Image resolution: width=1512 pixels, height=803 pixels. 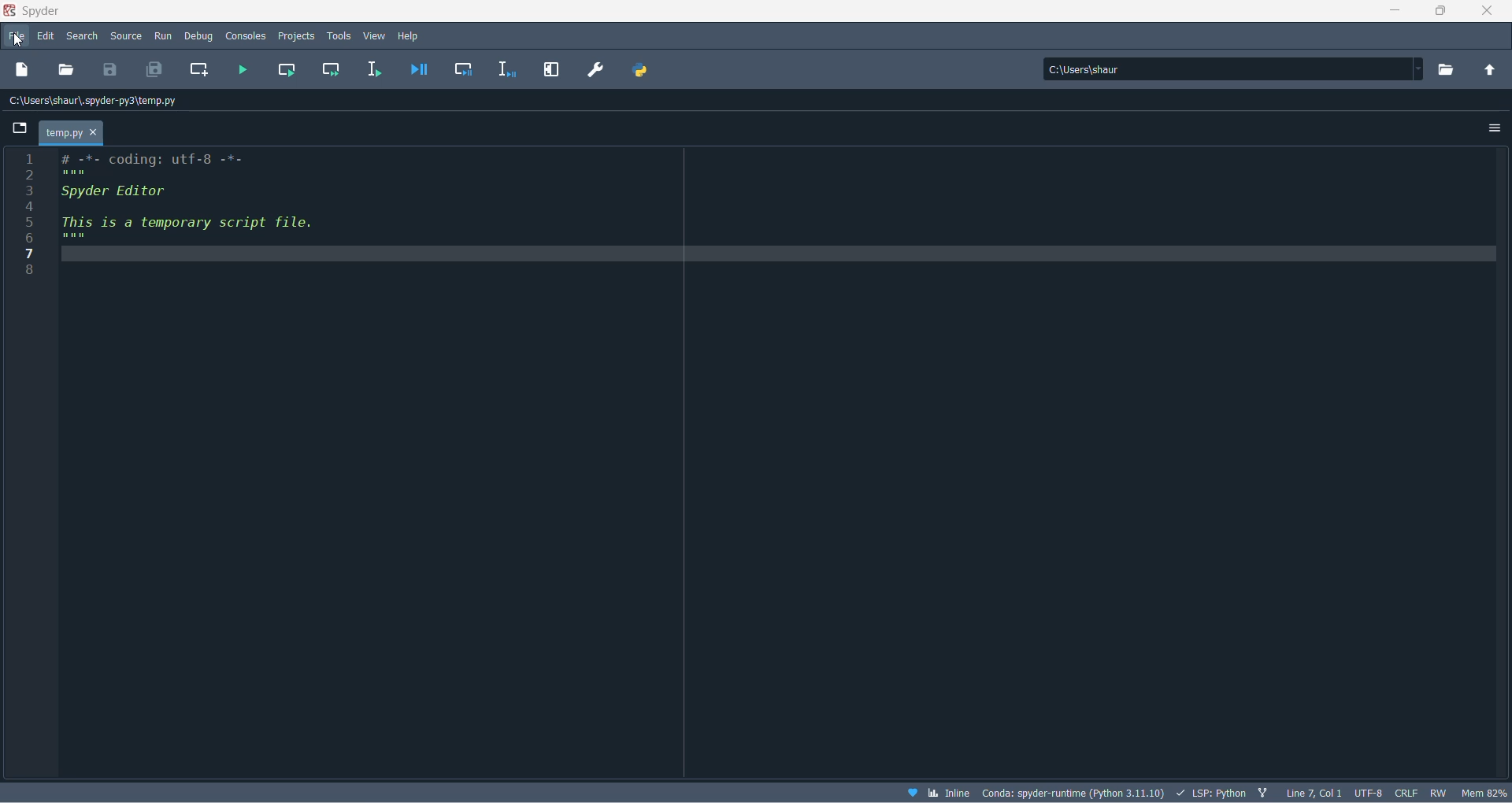 I want to click on git branch, so click(x=1266, y=790).